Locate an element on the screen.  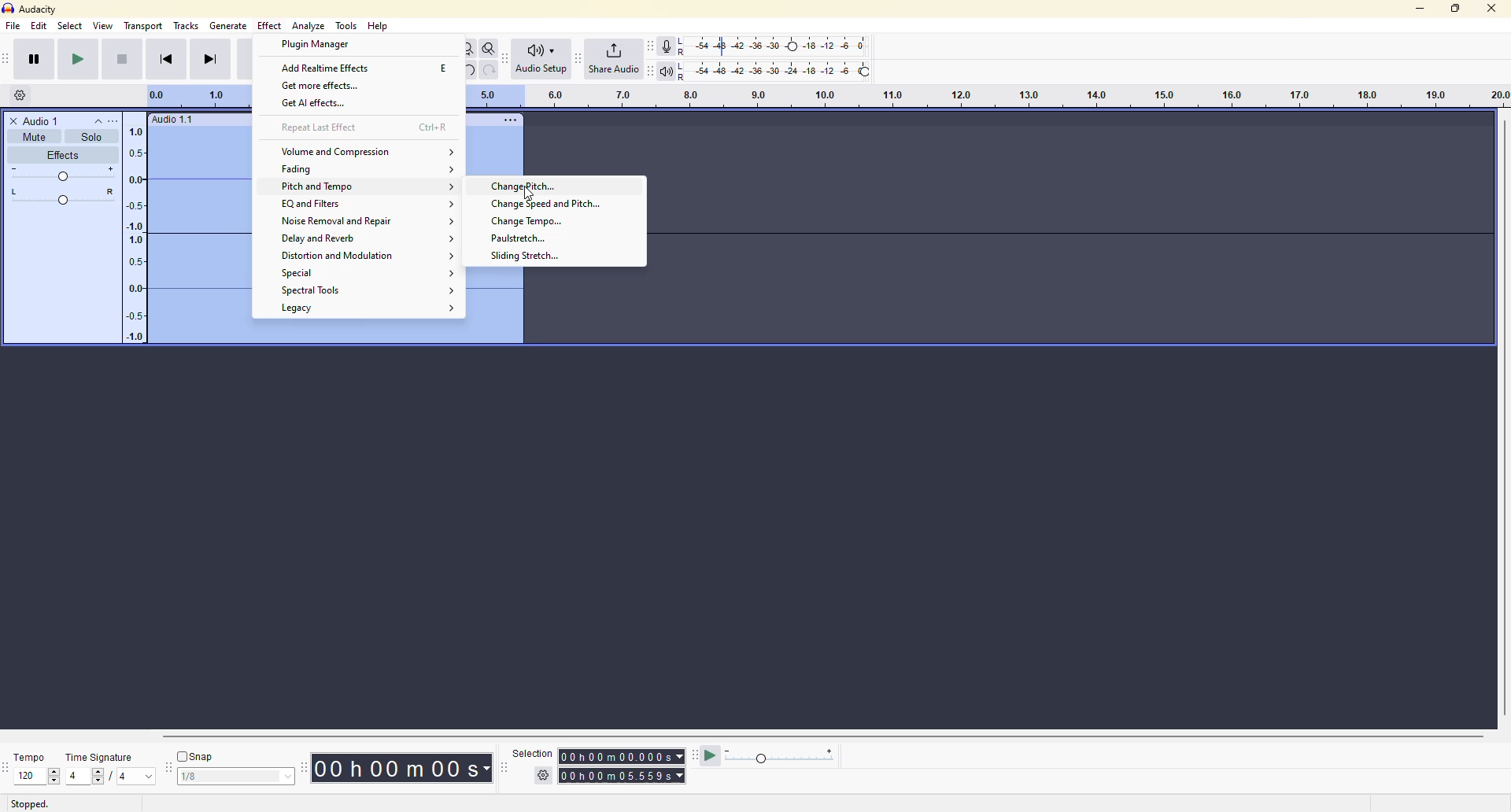
eq and filters is located at coordinates (313, 205).